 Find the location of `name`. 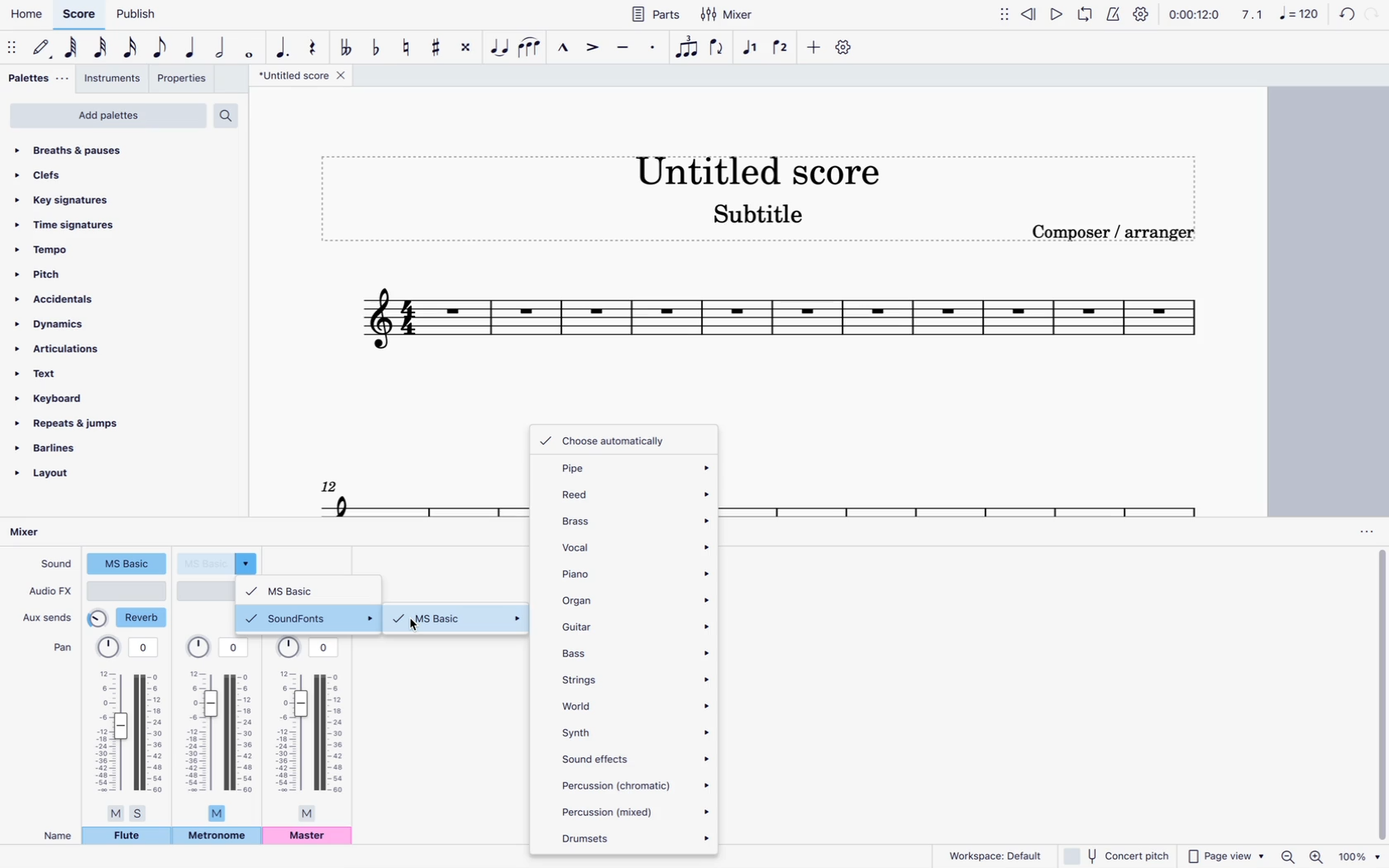

name is located at coordinates (52, 835).